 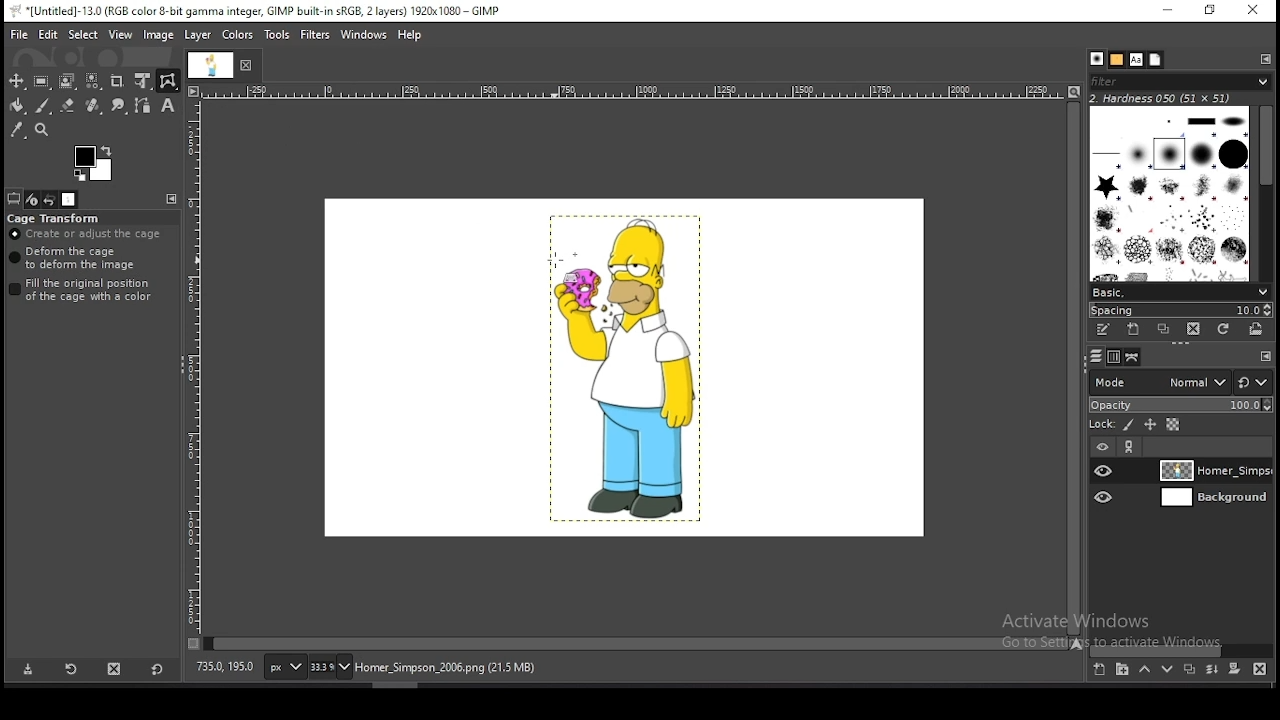 I want to click on color picker tool, so click(x=17, y=129).